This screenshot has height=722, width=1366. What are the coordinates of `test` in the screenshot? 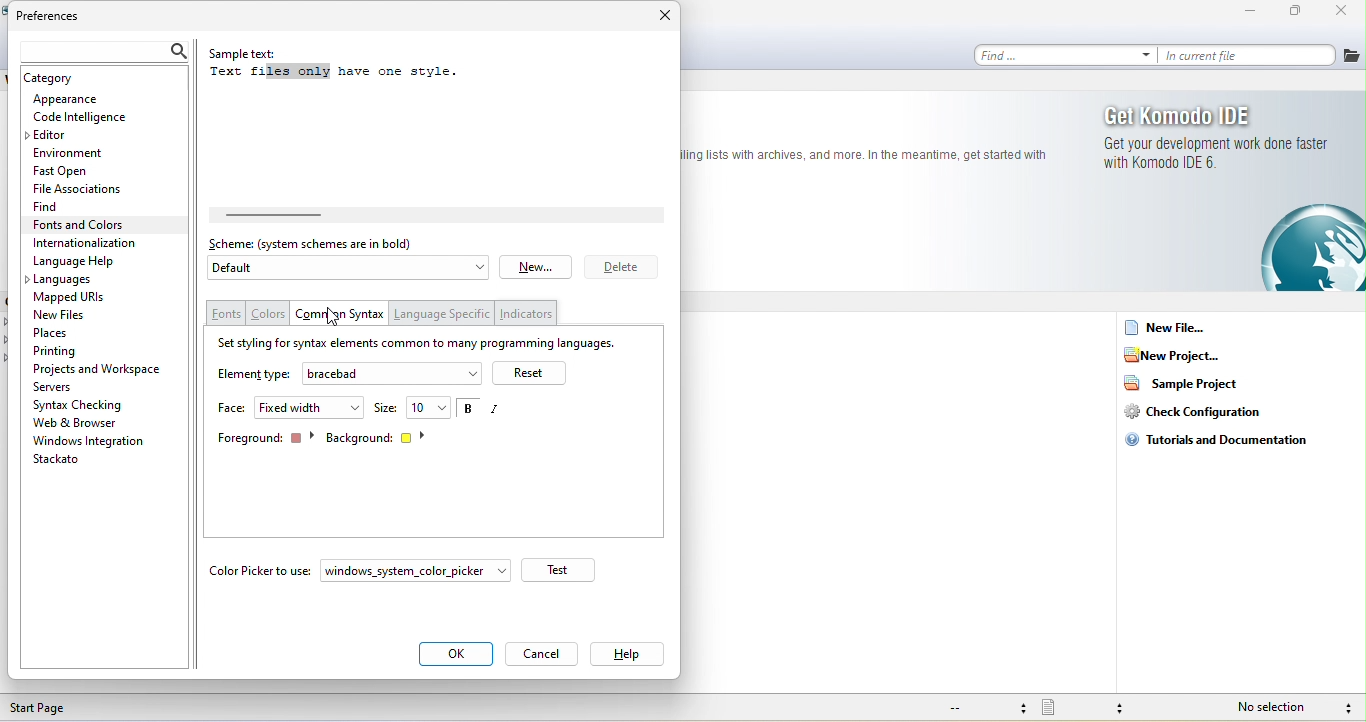 It's located at (565, 570).